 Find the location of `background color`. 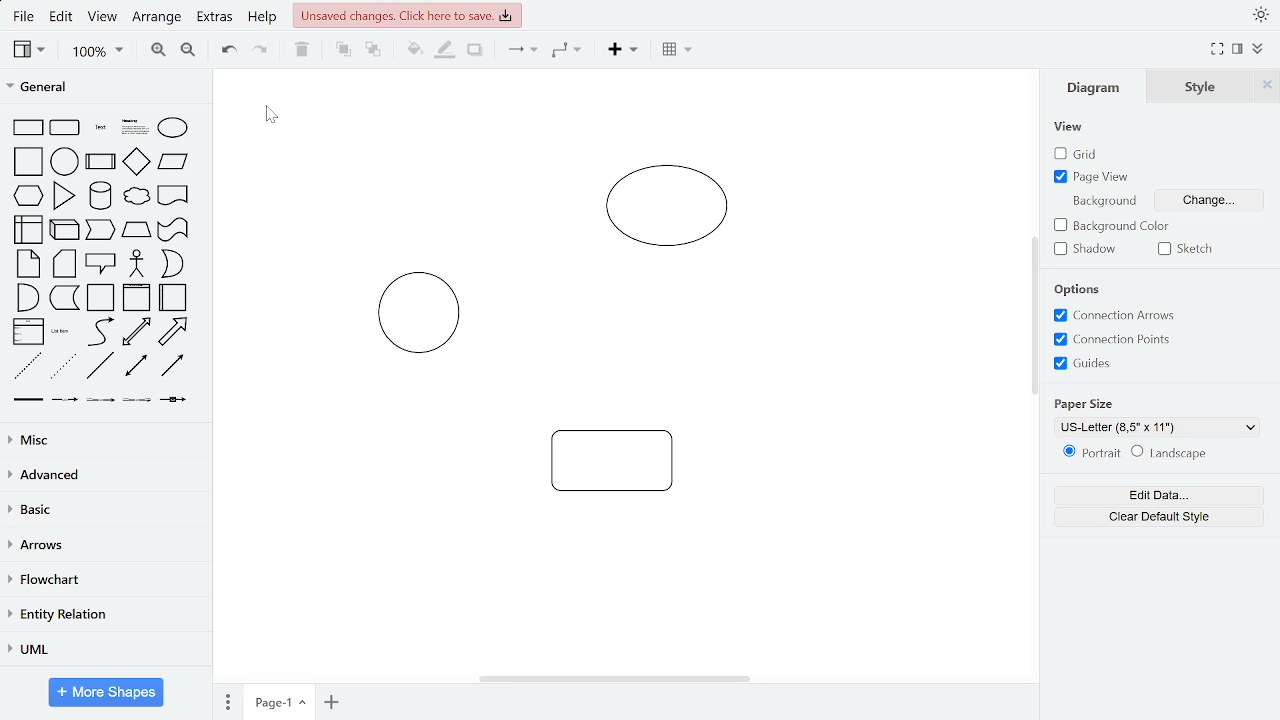

background color is located at coordinates (1113, 226).